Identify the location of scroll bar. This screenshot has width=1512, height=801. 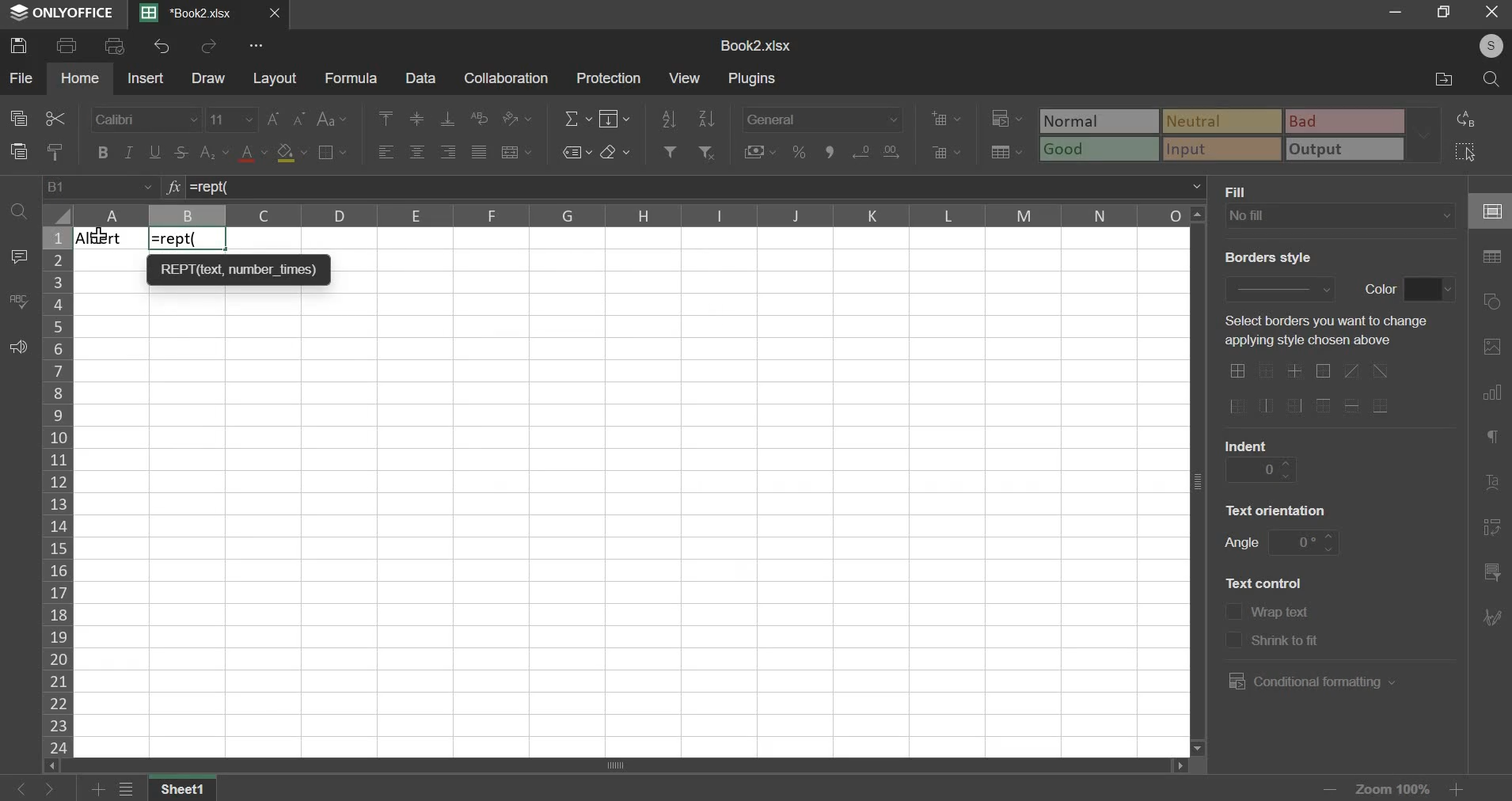
(620, 767).